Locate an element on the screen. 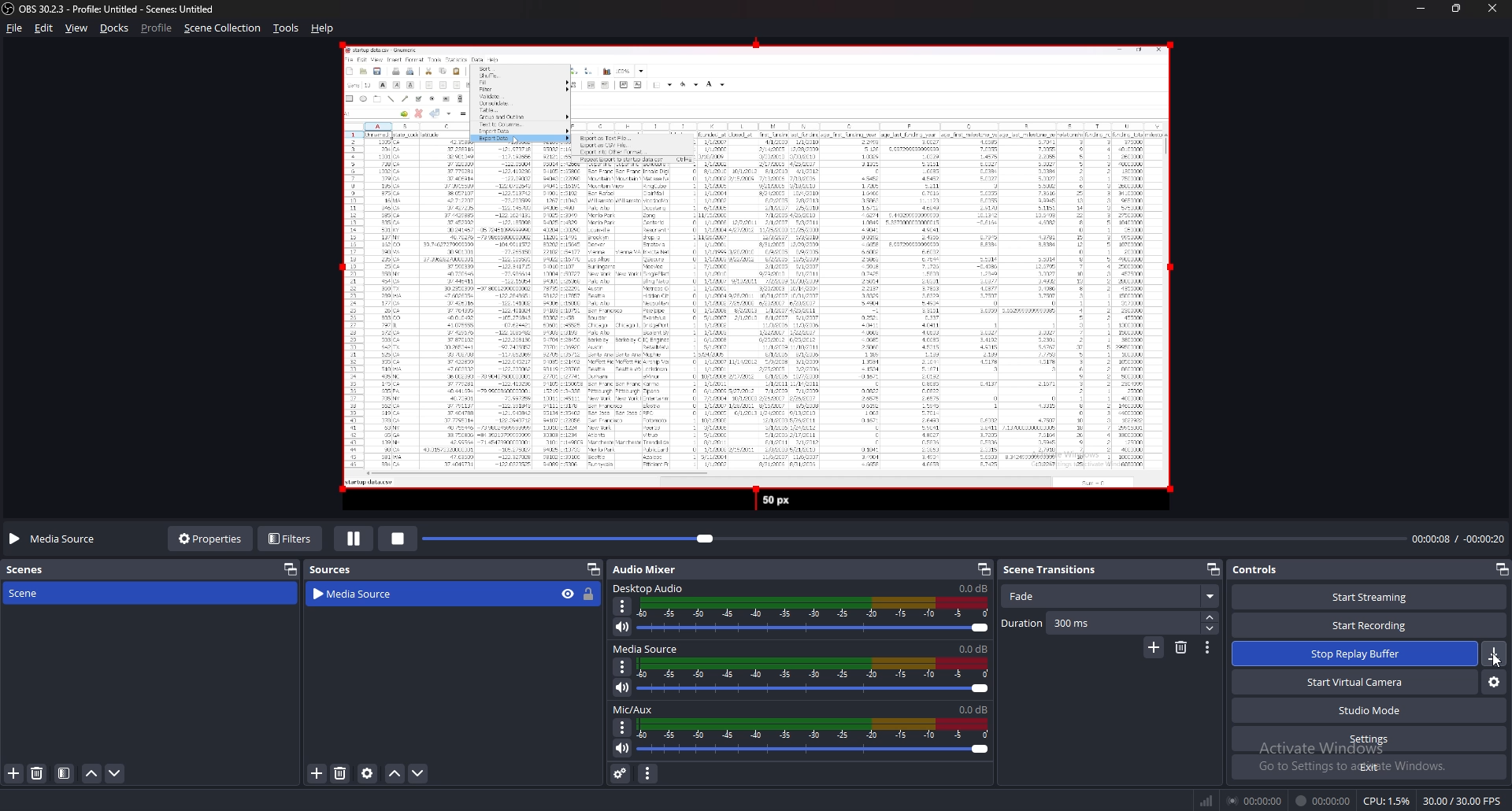  docks is located at coordinates (115, 28).